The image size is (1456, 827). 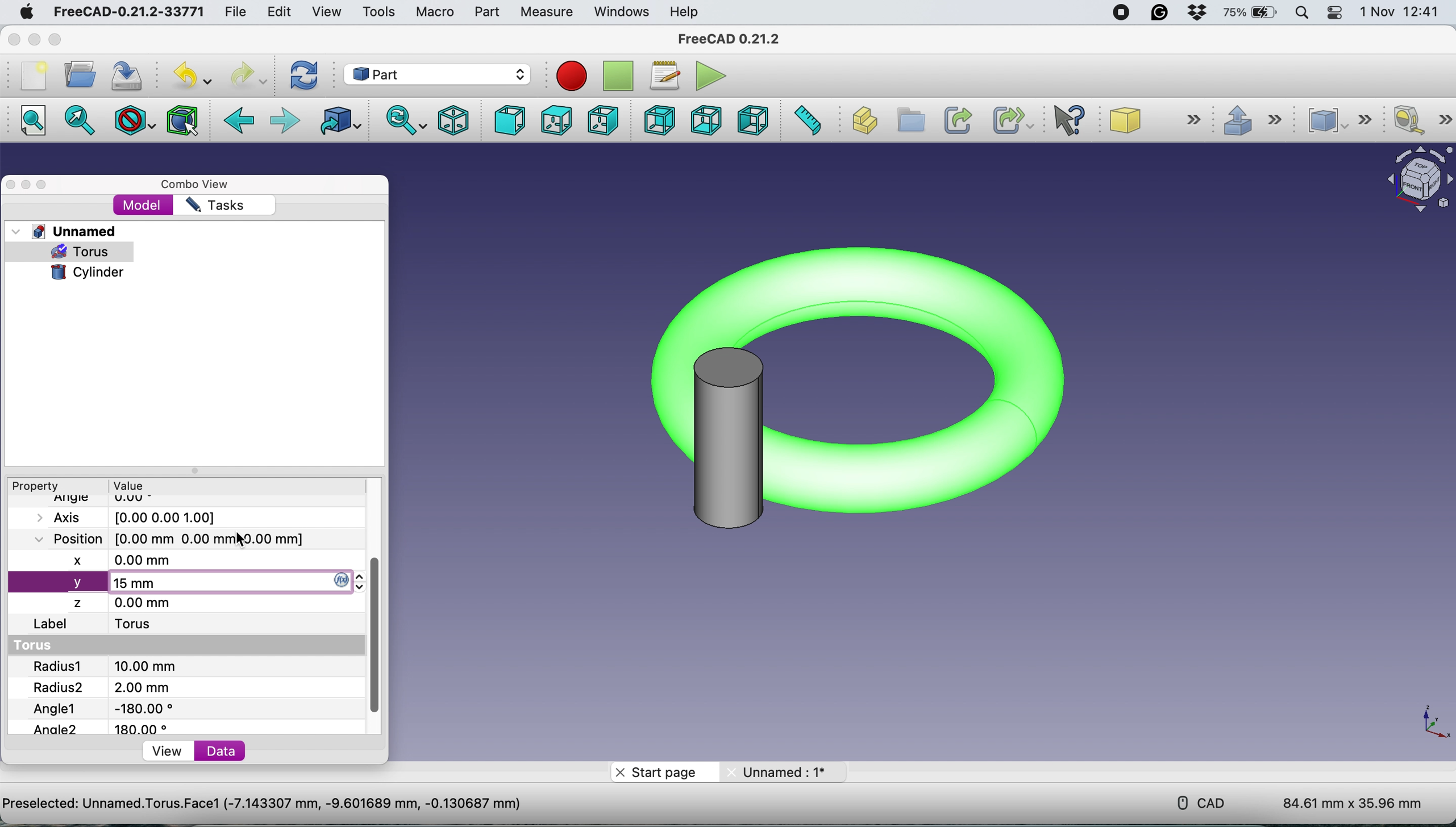 I want to click on close, so click(x=12, y=40).